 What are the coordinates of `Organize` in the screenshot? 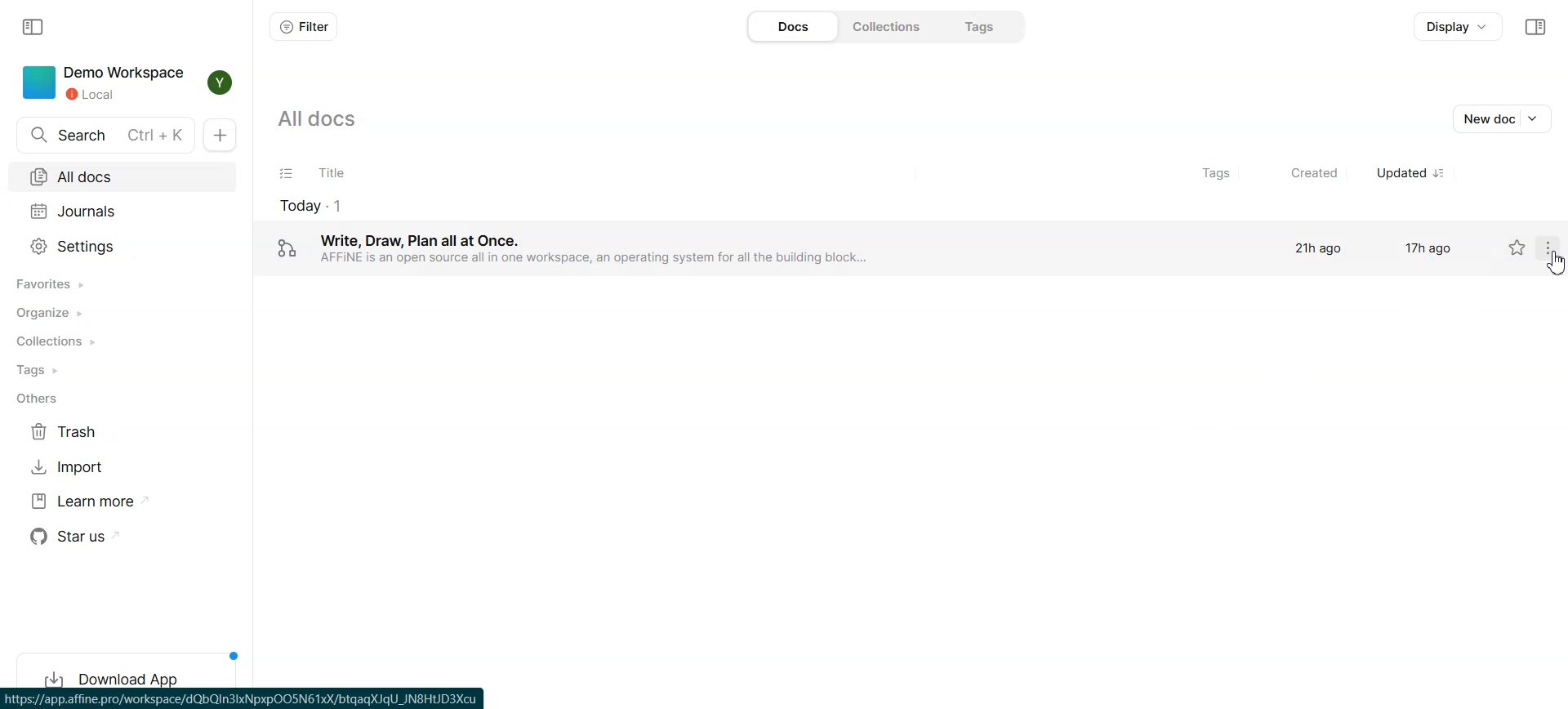 It's located at (122, 313).